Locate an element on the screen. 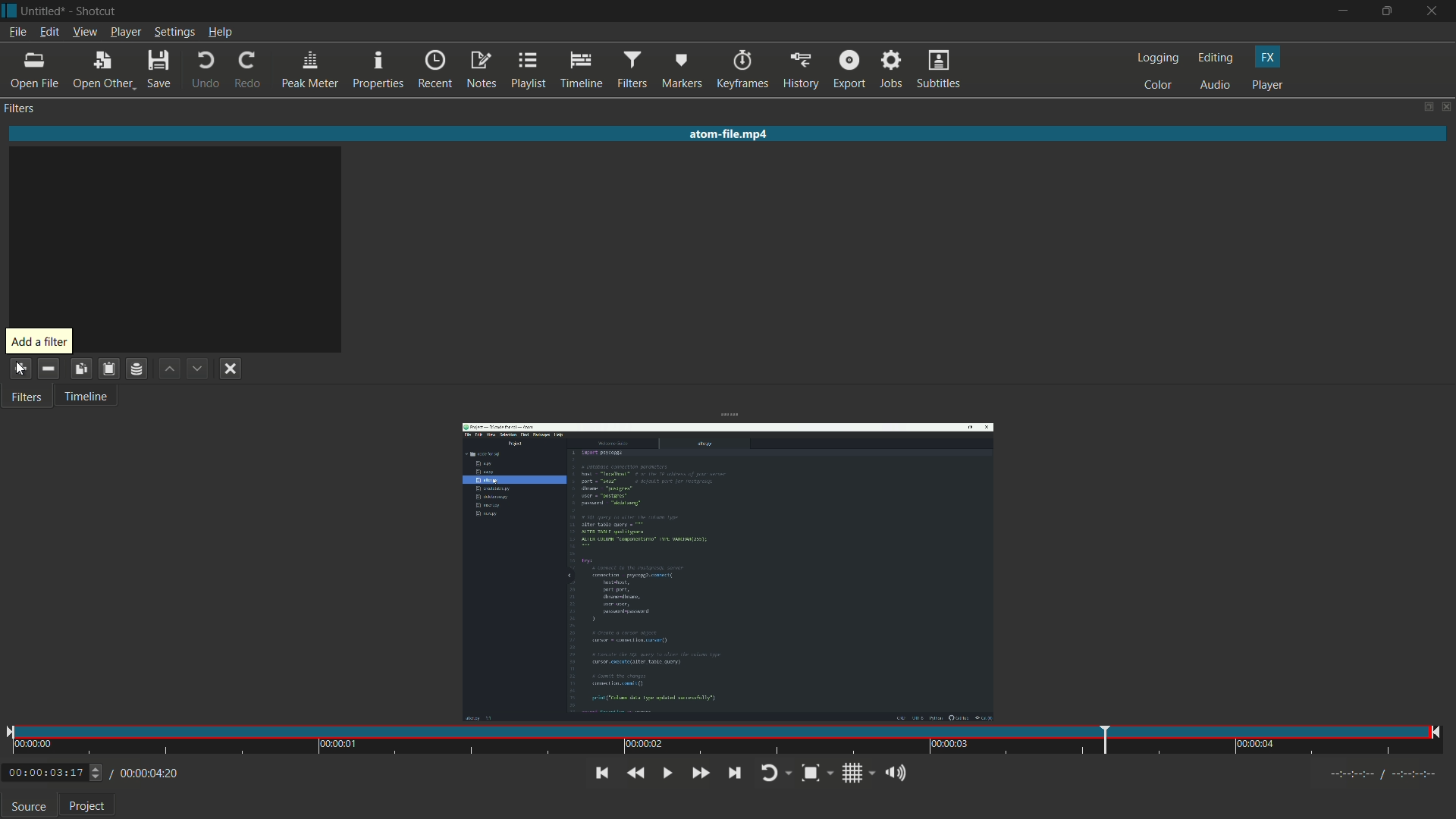  save filter set is located at coordinates (136, 370).